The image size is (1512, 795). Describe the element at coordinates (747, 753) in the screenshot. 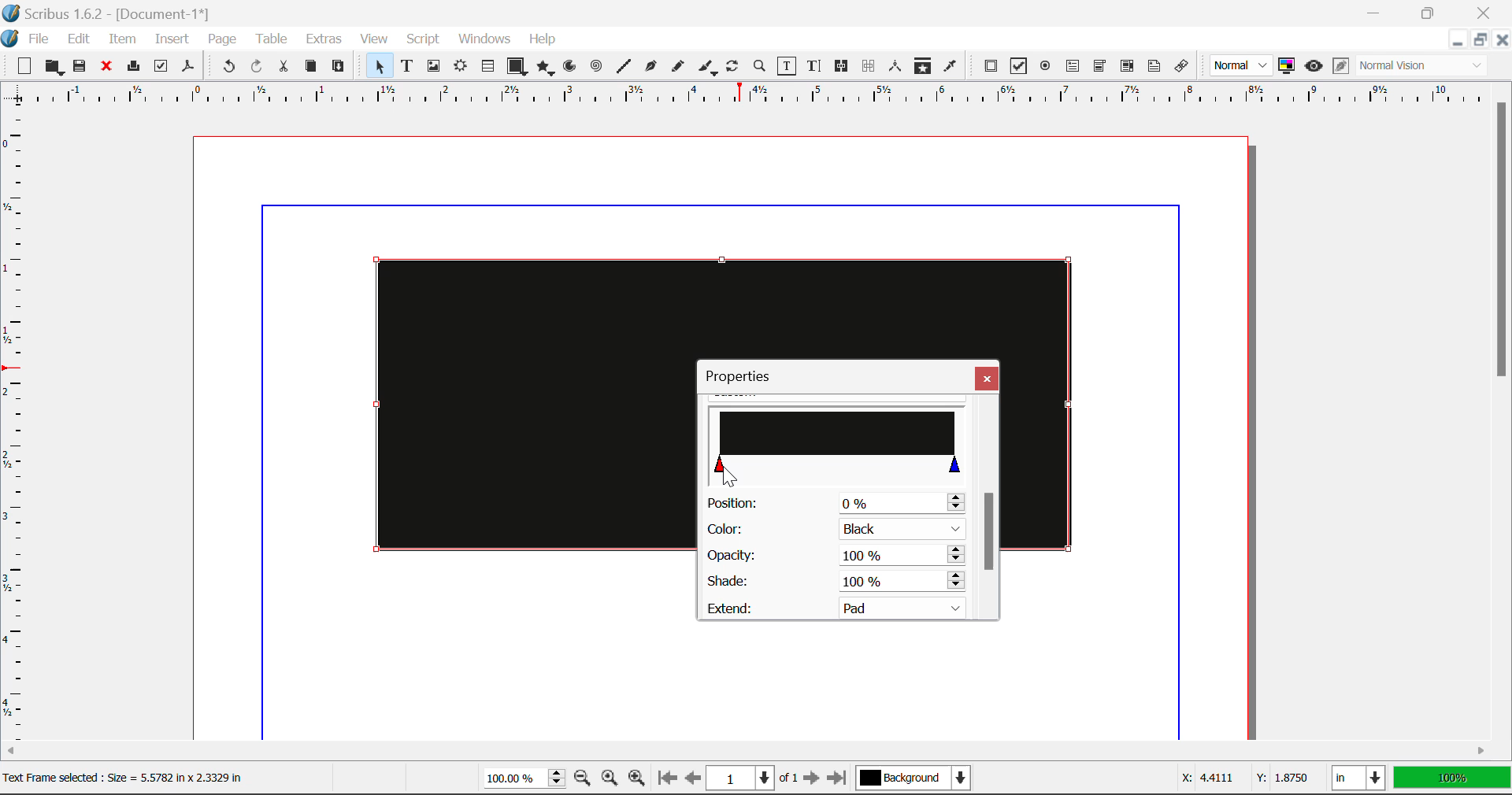

I see `Scroll Bar` at that location.